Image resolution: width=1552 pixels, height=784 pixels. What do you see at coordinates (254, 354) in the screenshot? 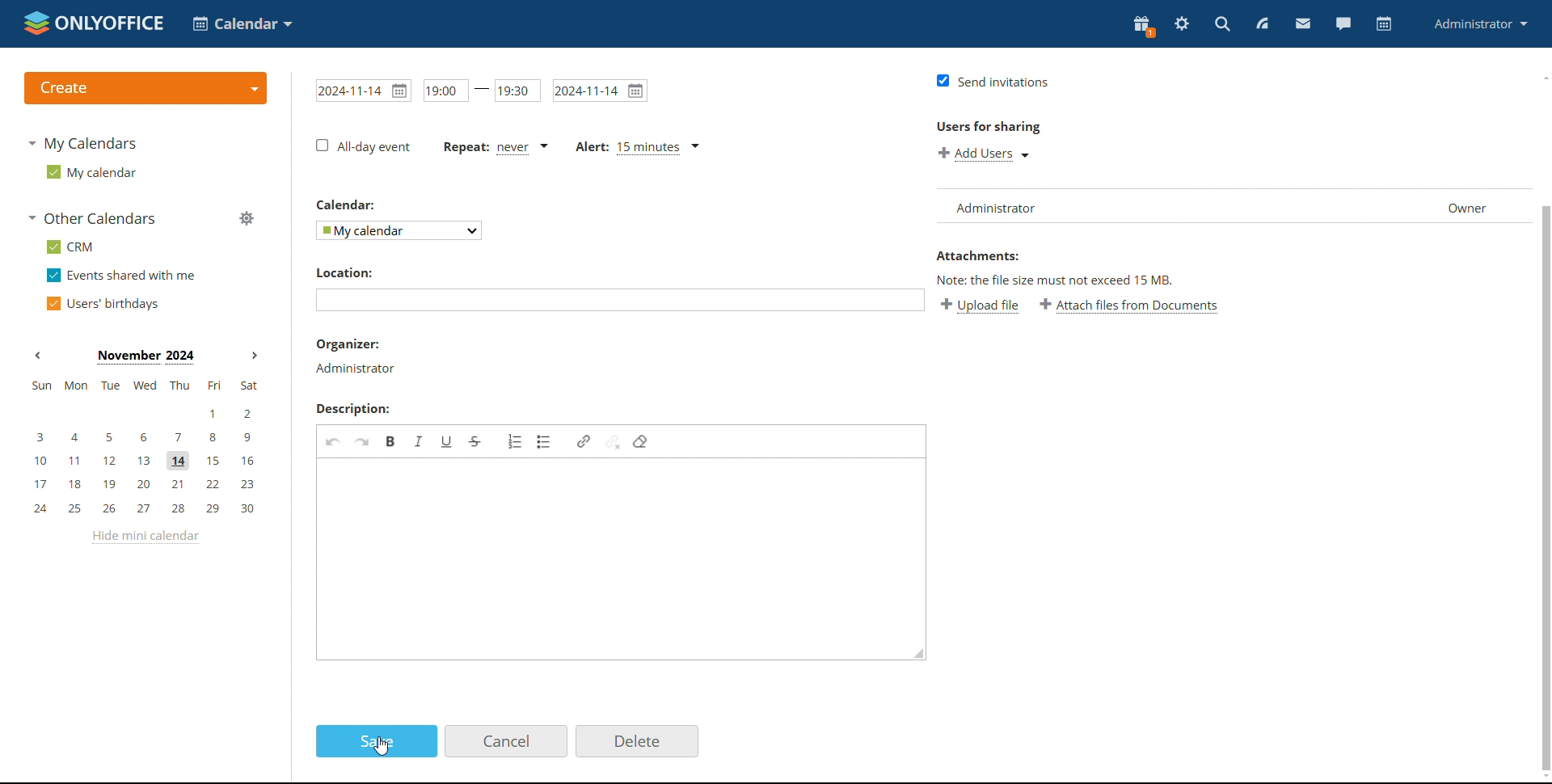
I see `next month` at bounding box center [254, 354].